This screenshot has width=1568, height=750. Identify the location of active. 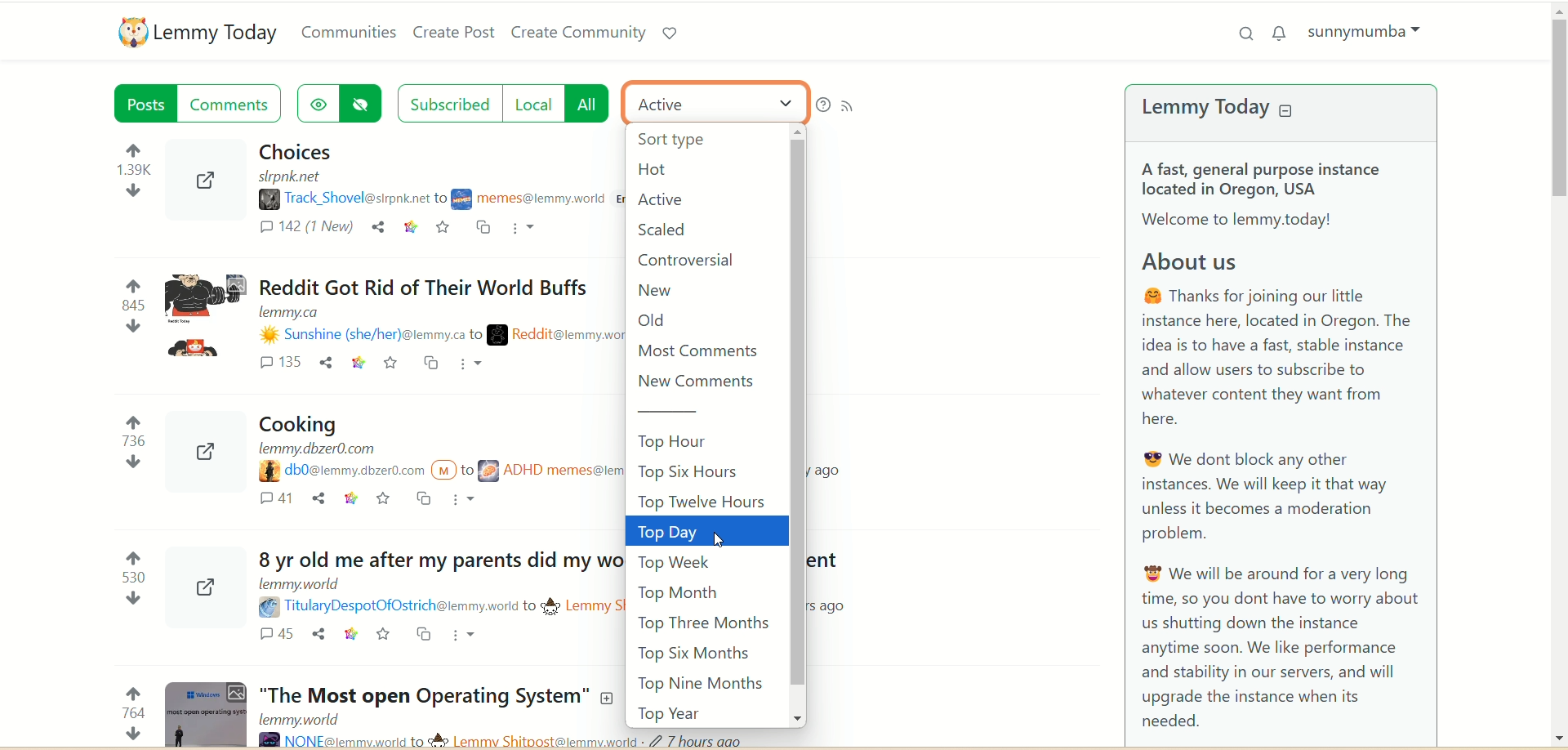
(659, 200).